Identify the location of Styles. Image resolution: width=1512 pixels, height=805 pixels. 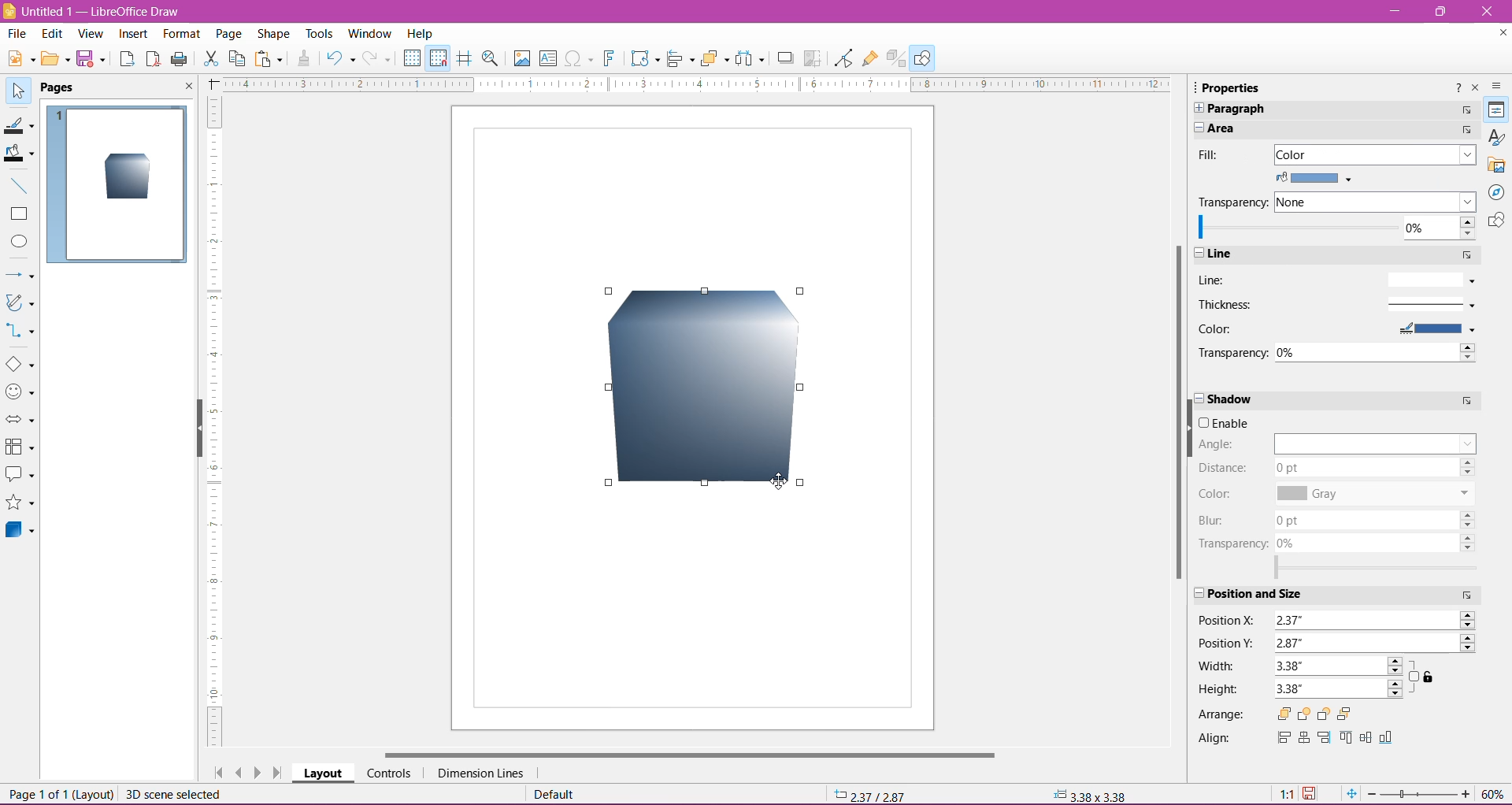
(1495, 137).